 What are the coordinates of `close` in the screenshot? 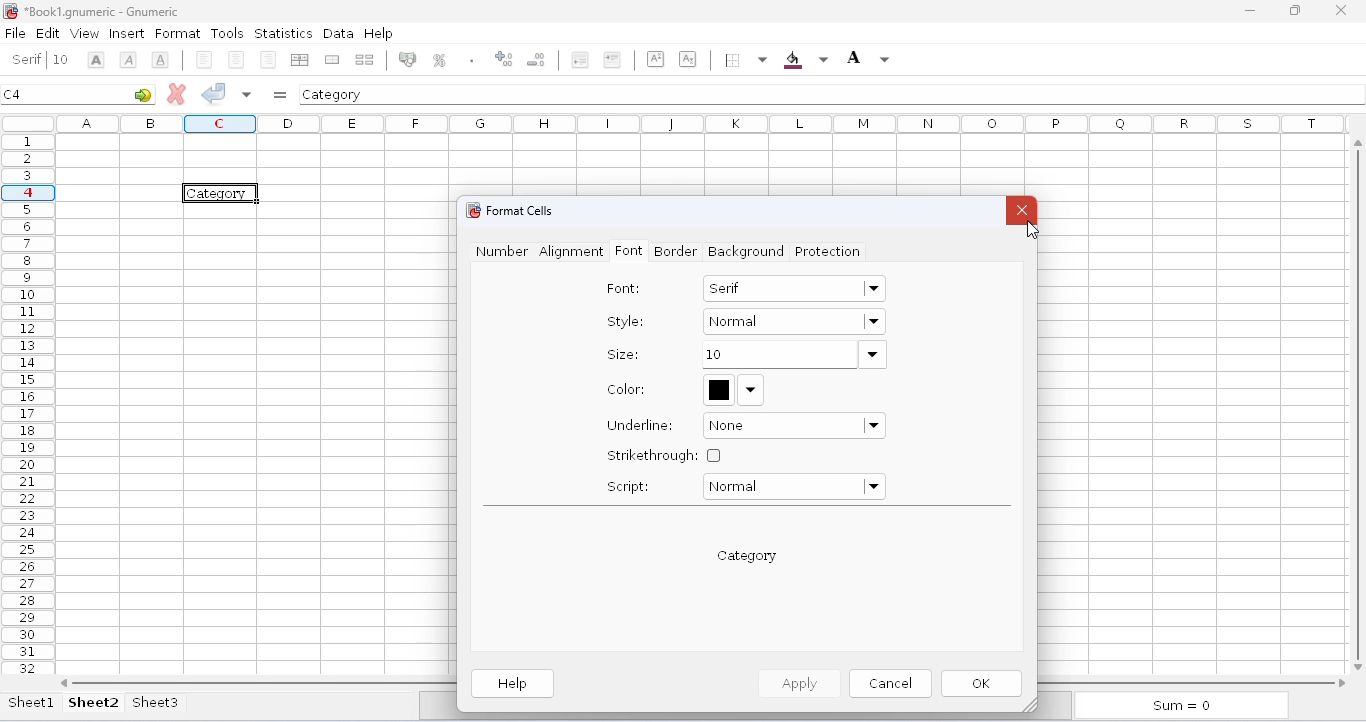 It's located at (1022, 210).